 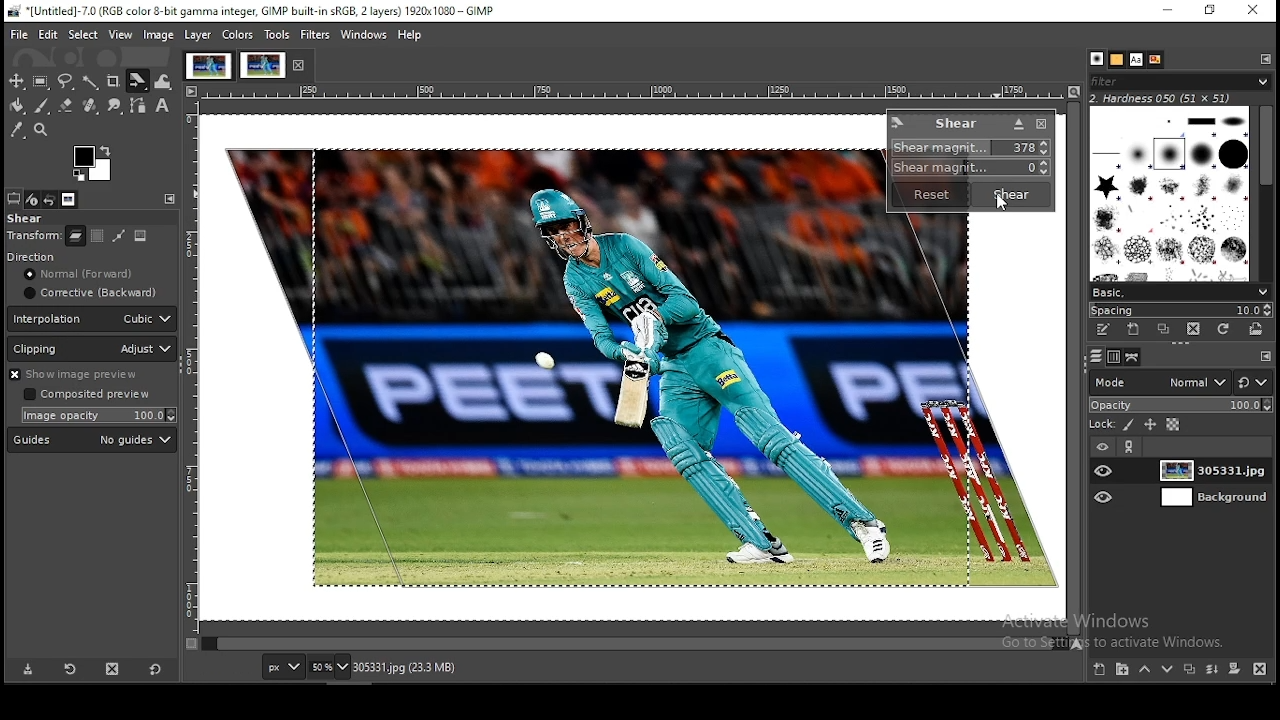 What do you see at coordinates (1265, 191) in the screenshot?
I see `scroll bar` at bounding box center [1265, 191].